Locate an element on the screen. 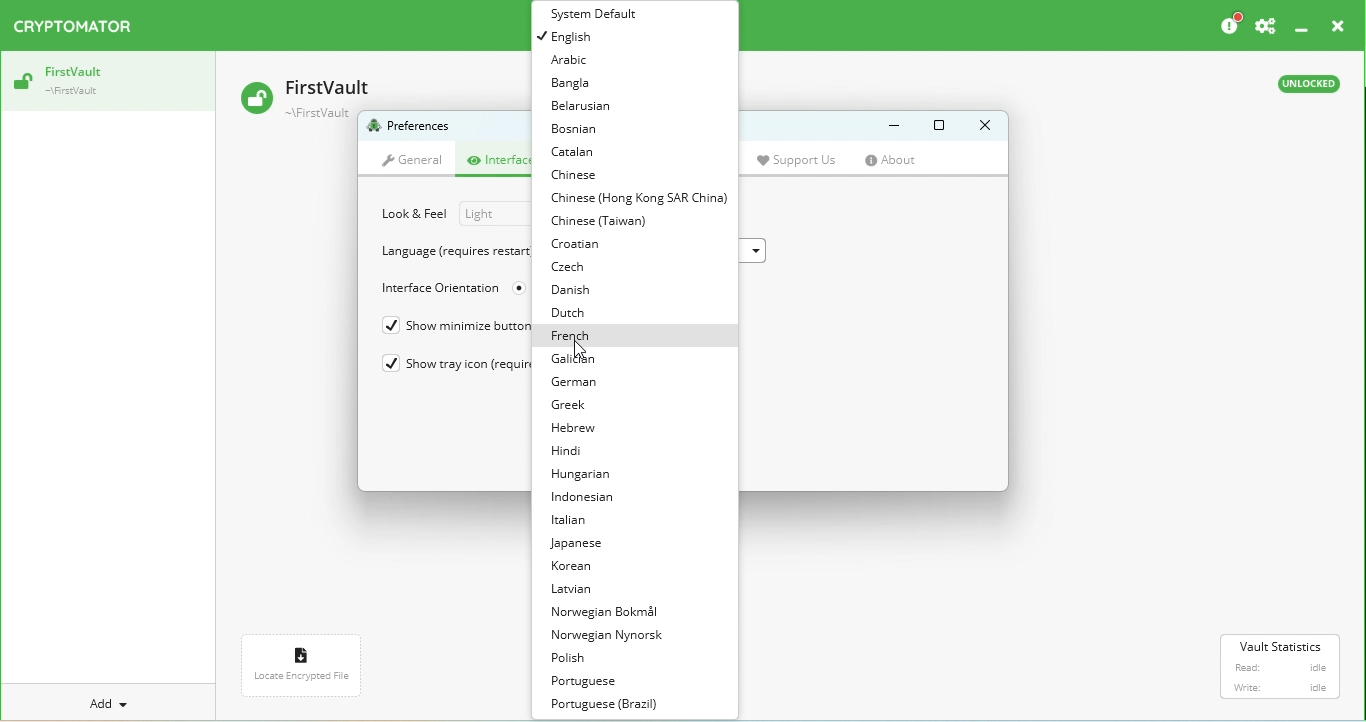 This screenshot has width=1366, height=722. Show minimize button is located at coordinates (443, 328).